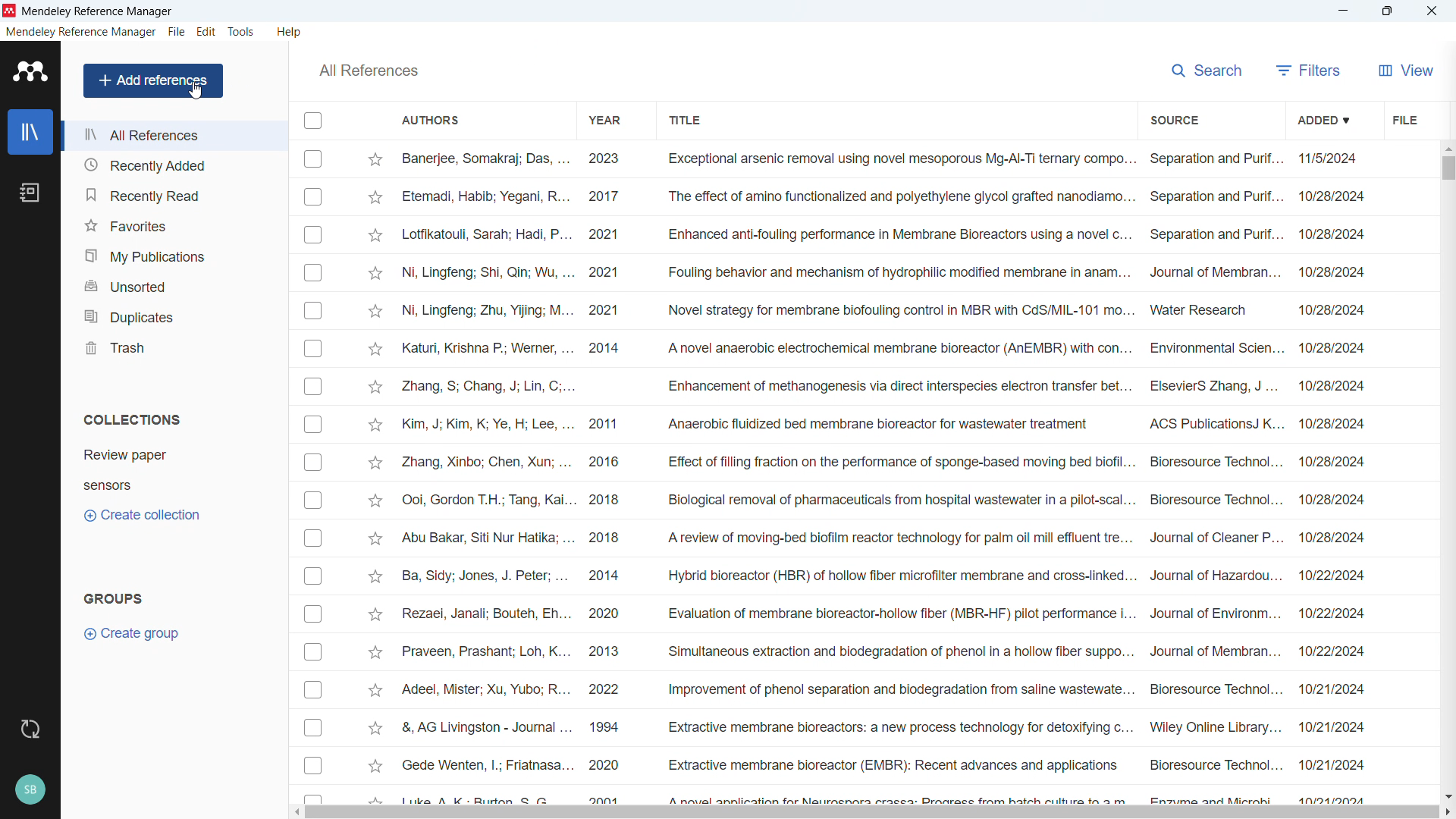  I want to click on Mendeley reference manager , so click(81, 32).